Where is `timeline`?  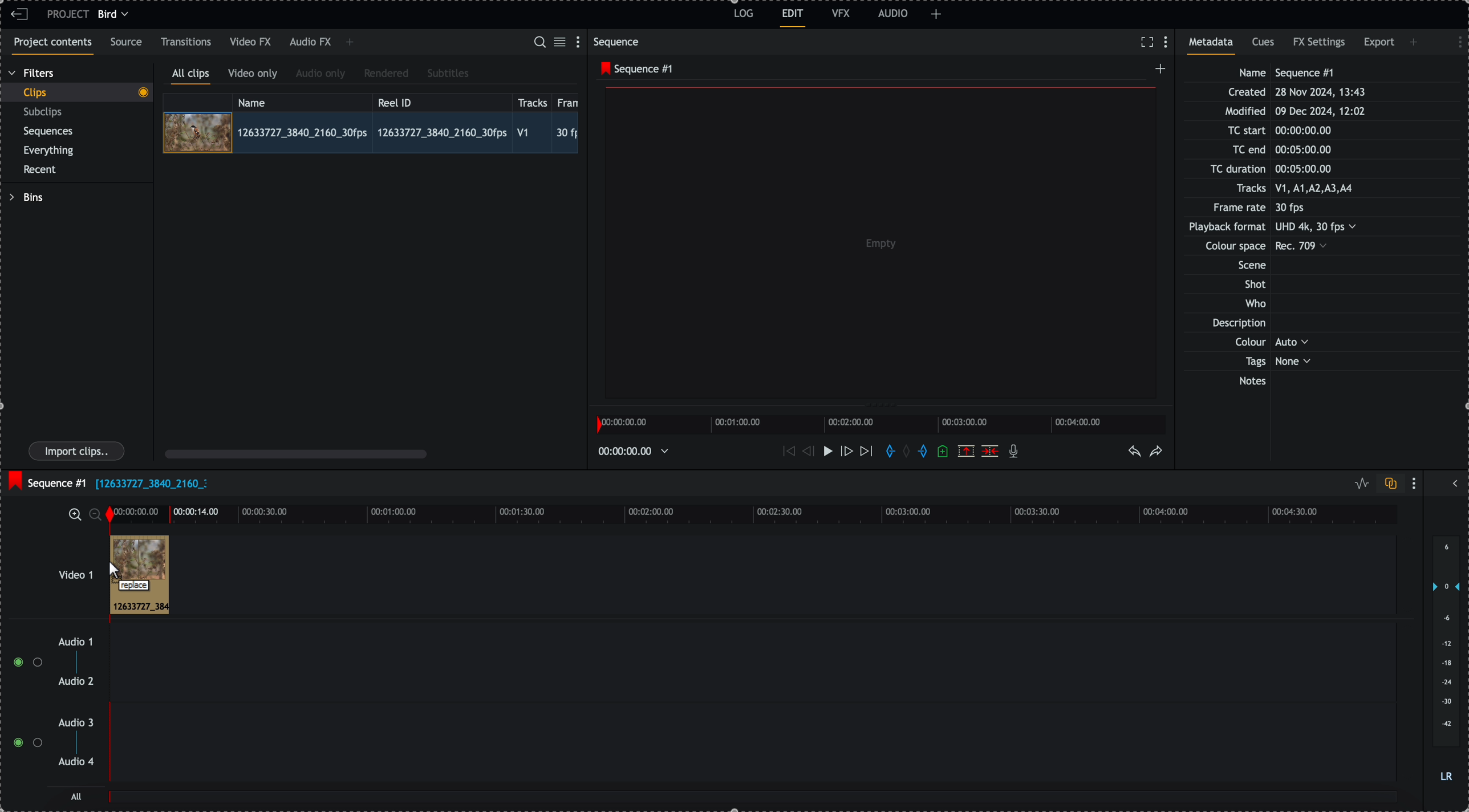
timeline is located at coordinates (751, 513).